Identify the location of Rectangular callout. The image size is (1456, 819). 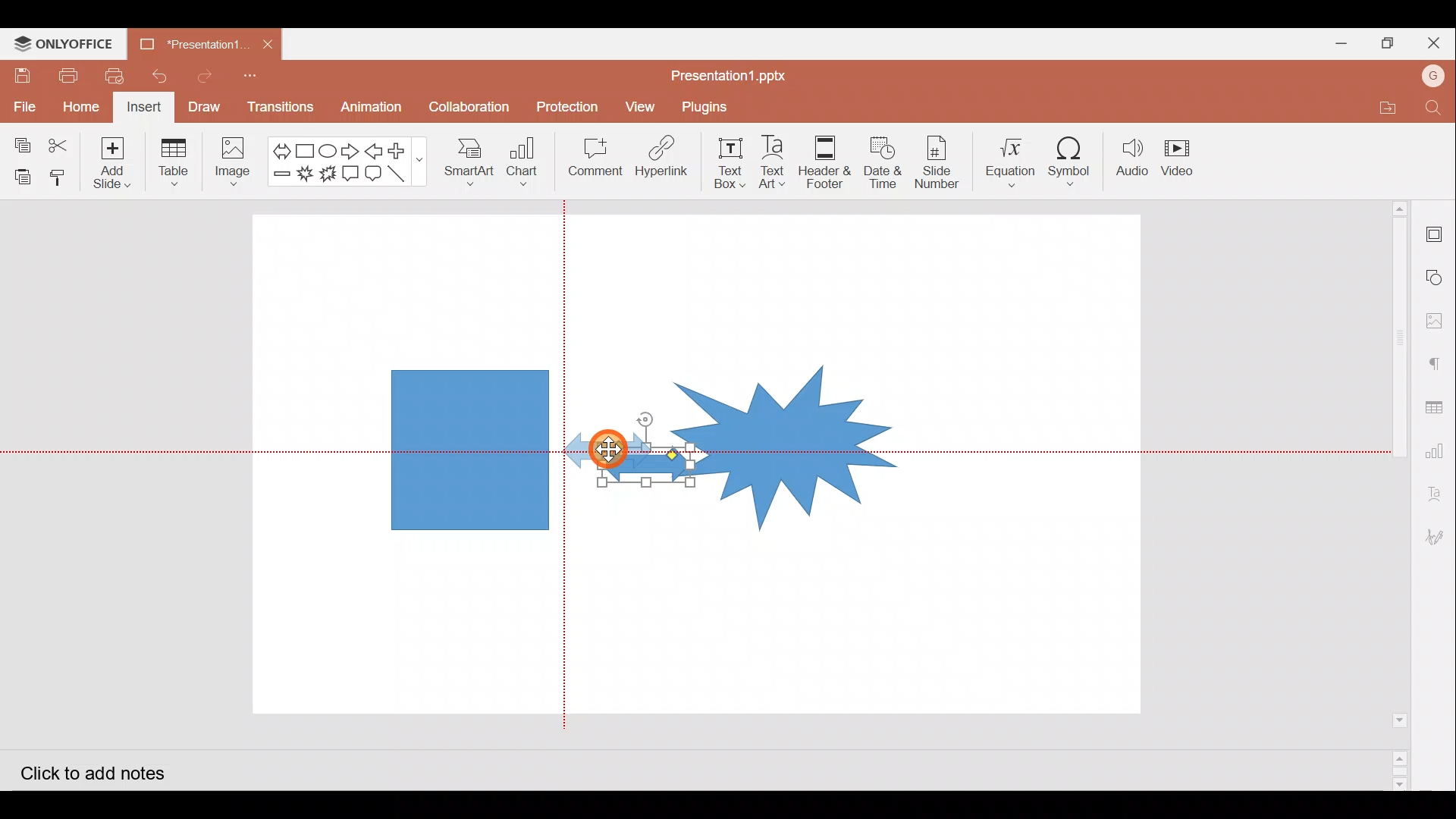
(353, 173).